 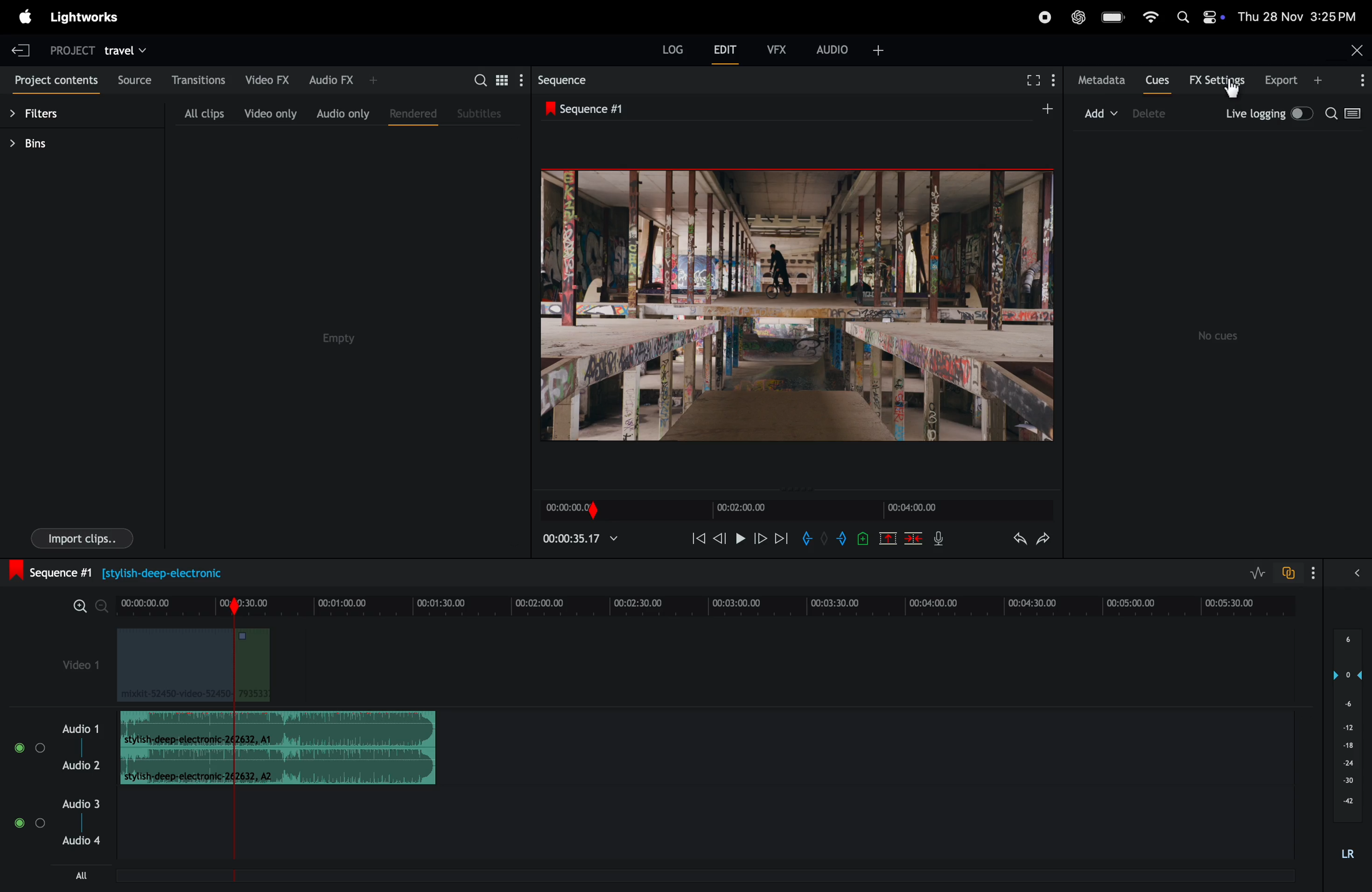 What do you see at coordinates (82, 768) in the screenshot?
I see `Audio 2` at bounding box center [82, 768].